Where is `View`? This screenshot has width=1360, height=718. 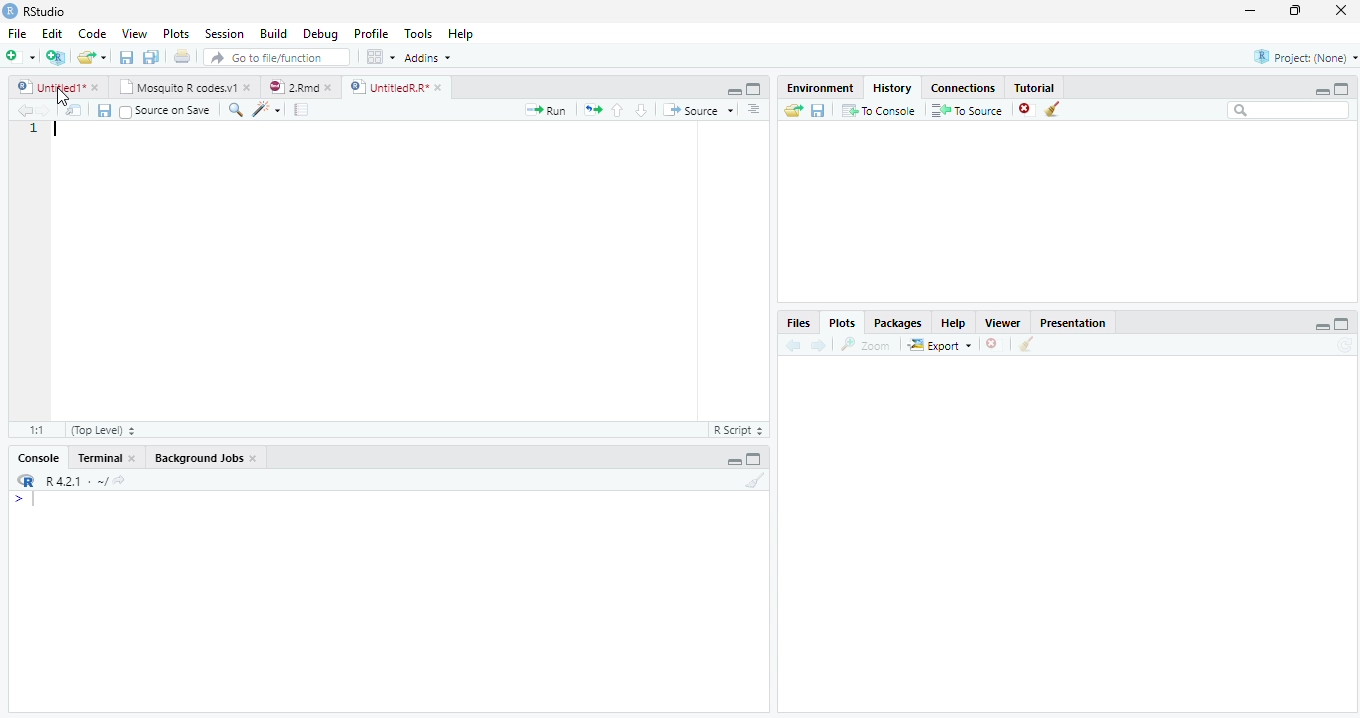
View is located at coordinates (133, 34).